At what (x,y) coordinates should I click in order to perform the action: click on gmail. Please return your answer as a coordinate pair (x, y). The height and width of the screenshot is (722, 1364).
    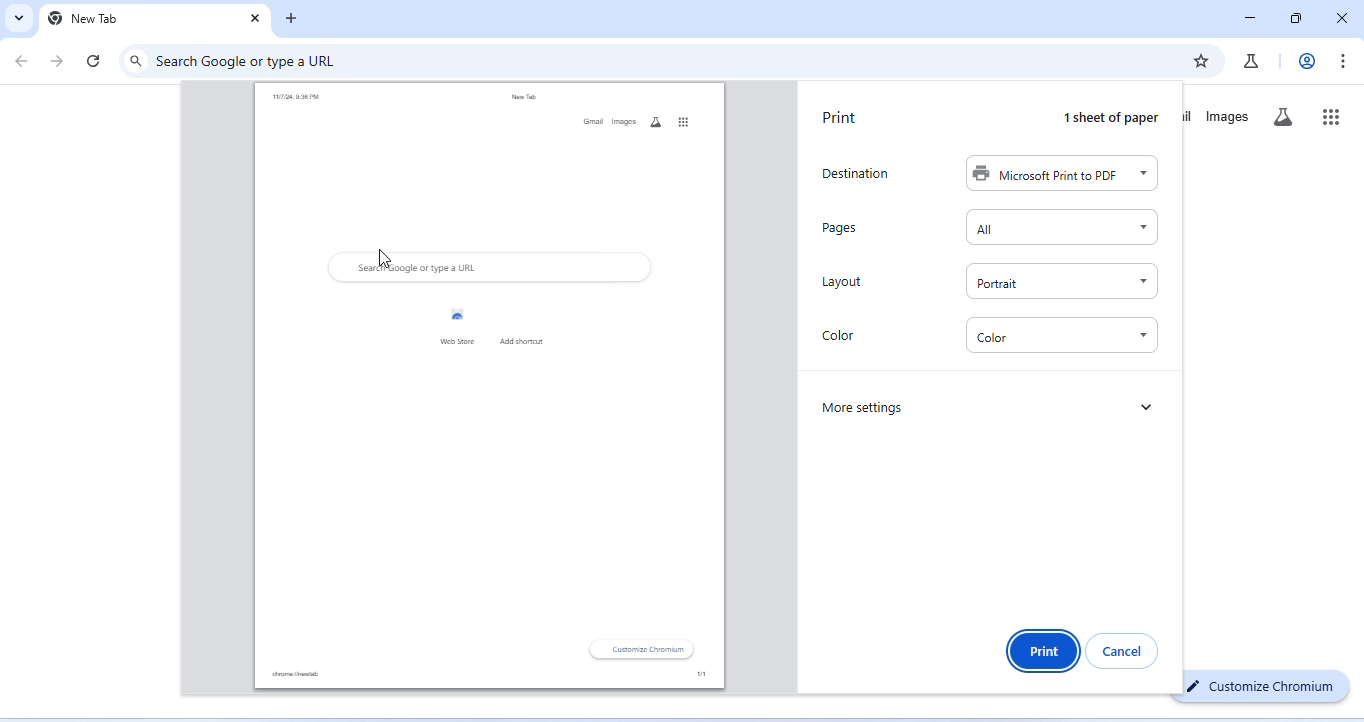
    Looking at the image, I should click on (1190, 114).